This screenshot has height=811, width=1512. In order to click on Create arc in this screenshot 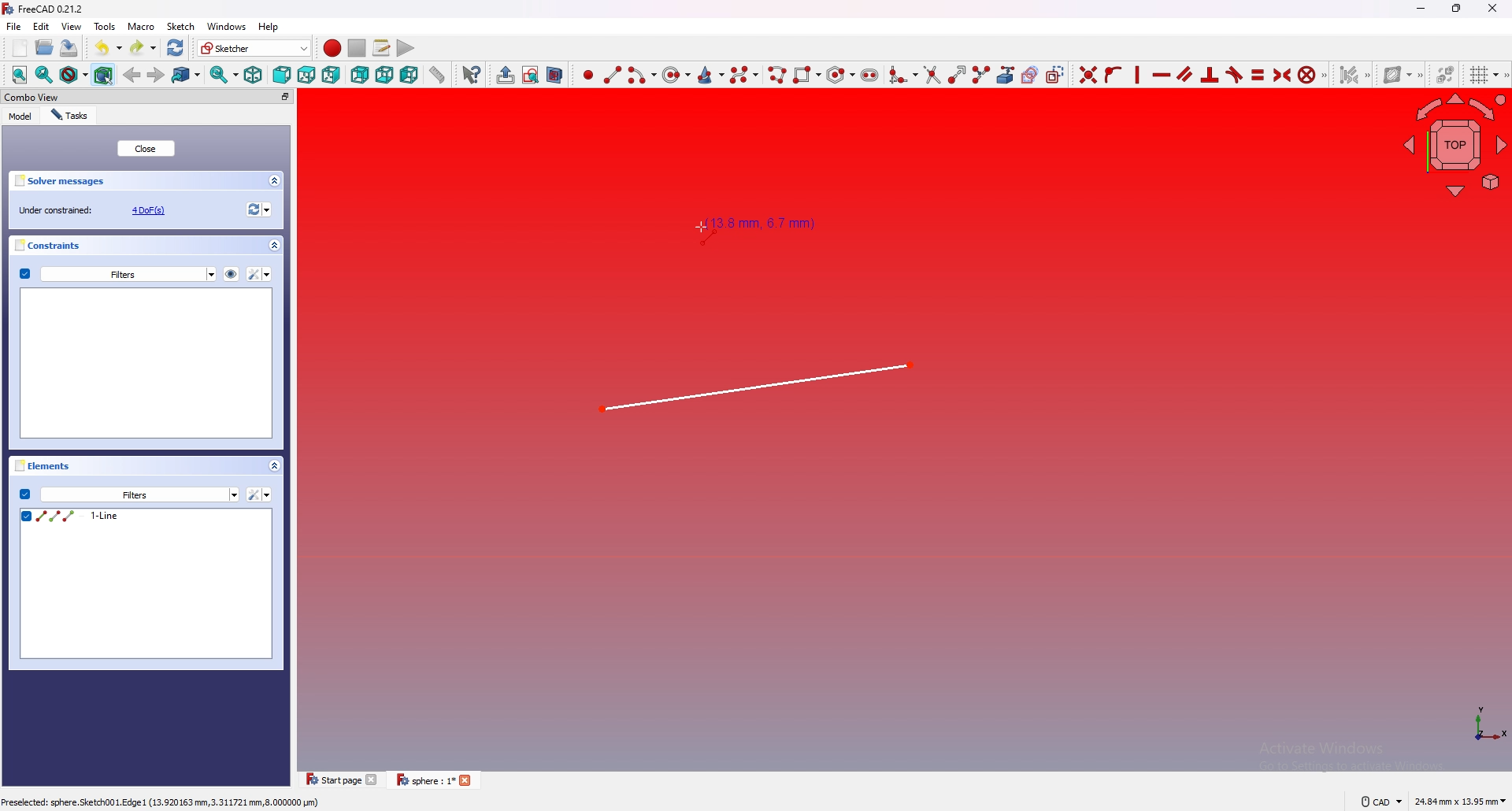, I will do `click(642, 75)`.